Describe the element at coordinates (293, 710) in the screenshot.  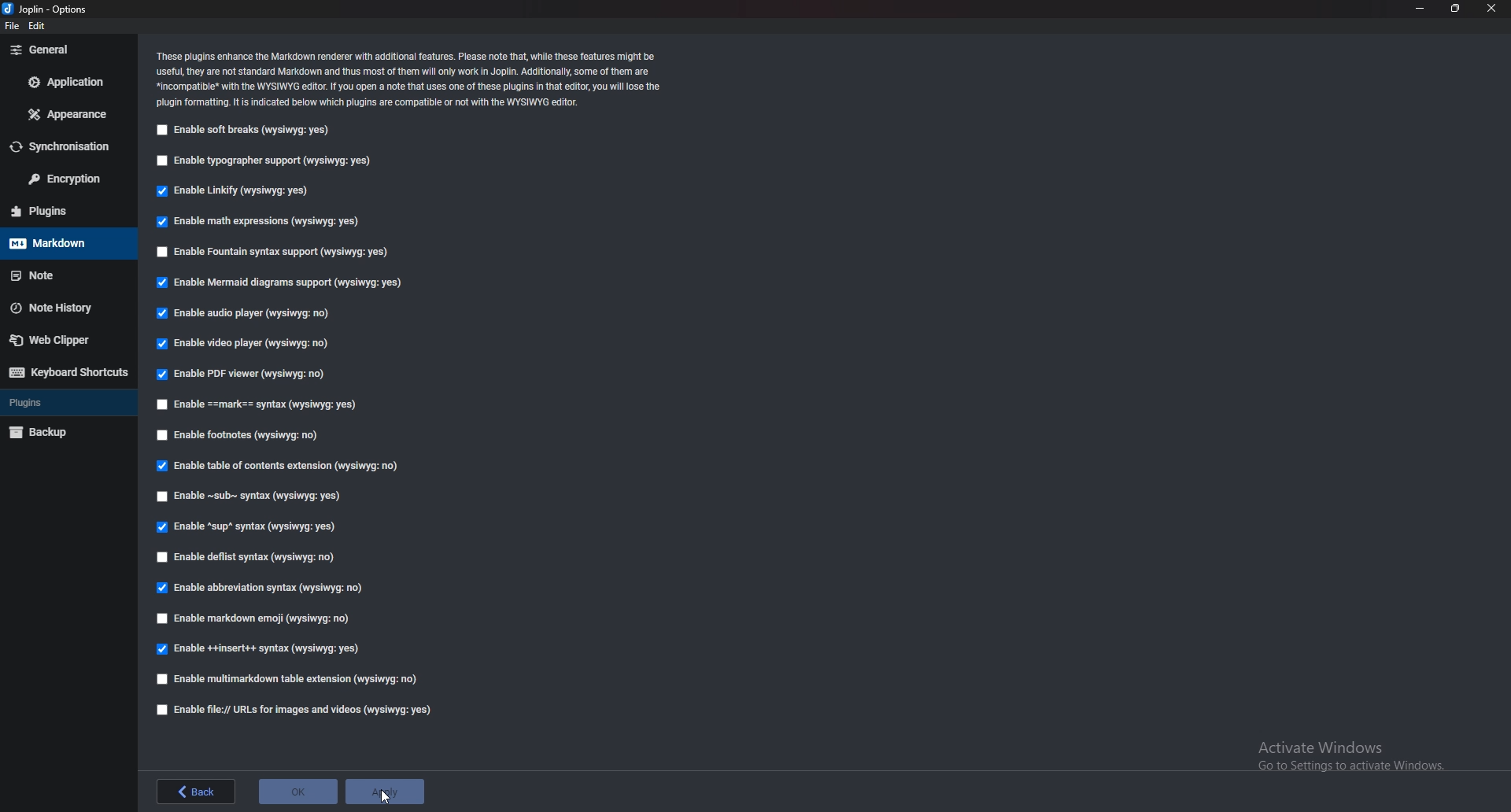
I see `Enable file urls for images and videos` at that location.